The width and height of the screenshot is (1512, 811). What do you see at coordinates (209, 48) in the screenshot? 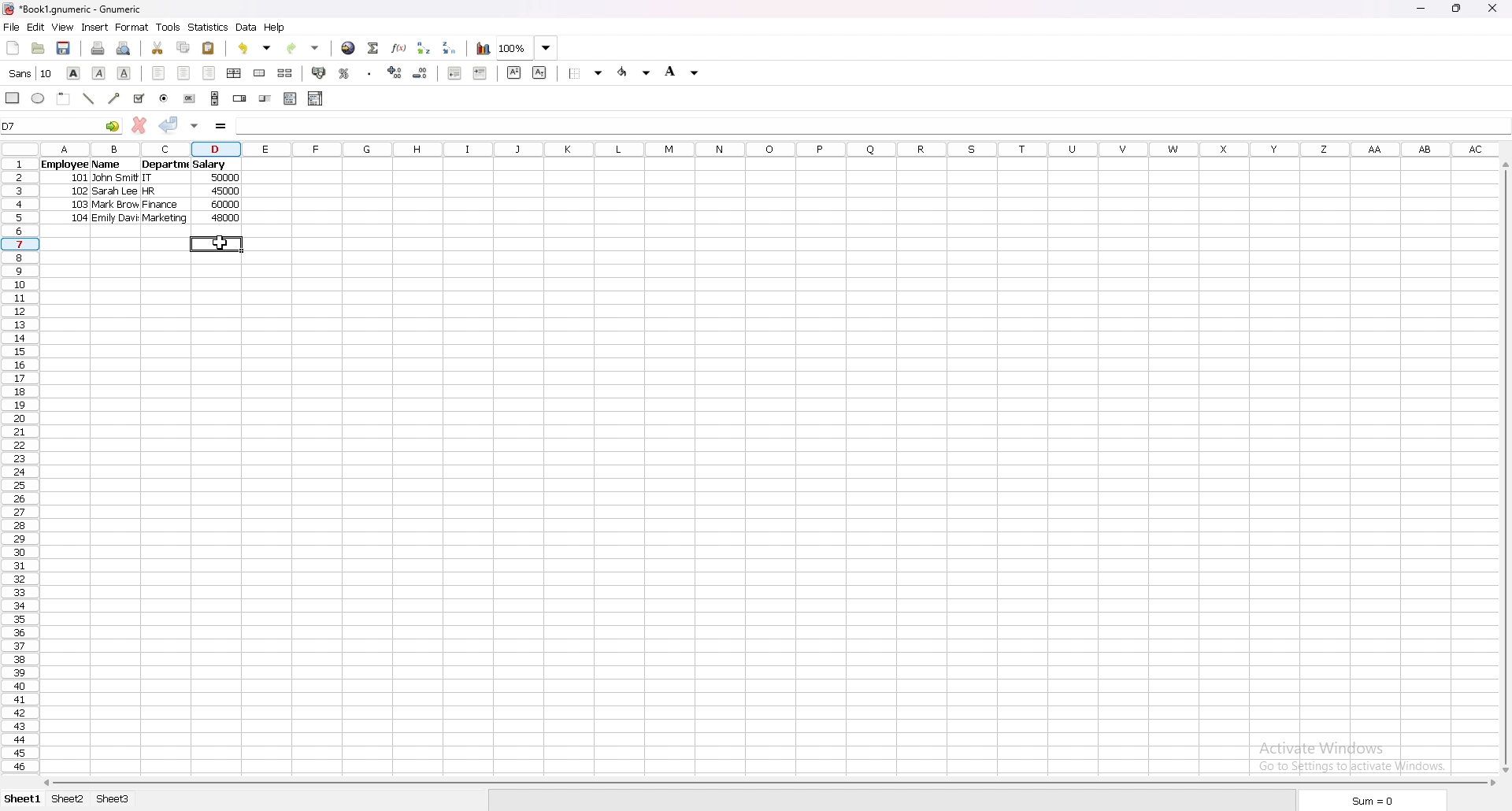
I see `paste` at bounding box center [209, 48].